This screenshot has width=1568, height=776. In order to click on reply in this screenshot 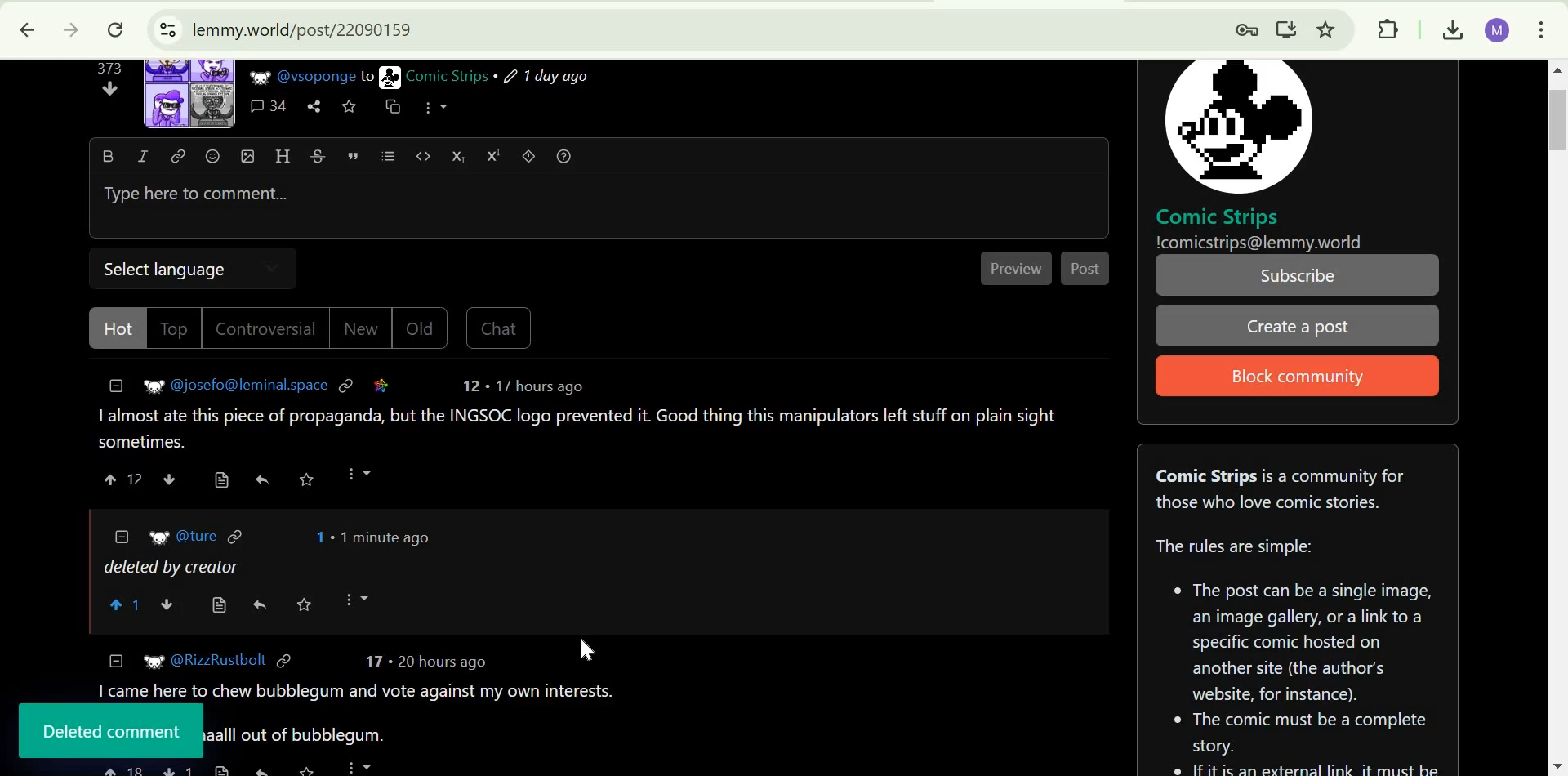, I will do `click(261, 479)`.